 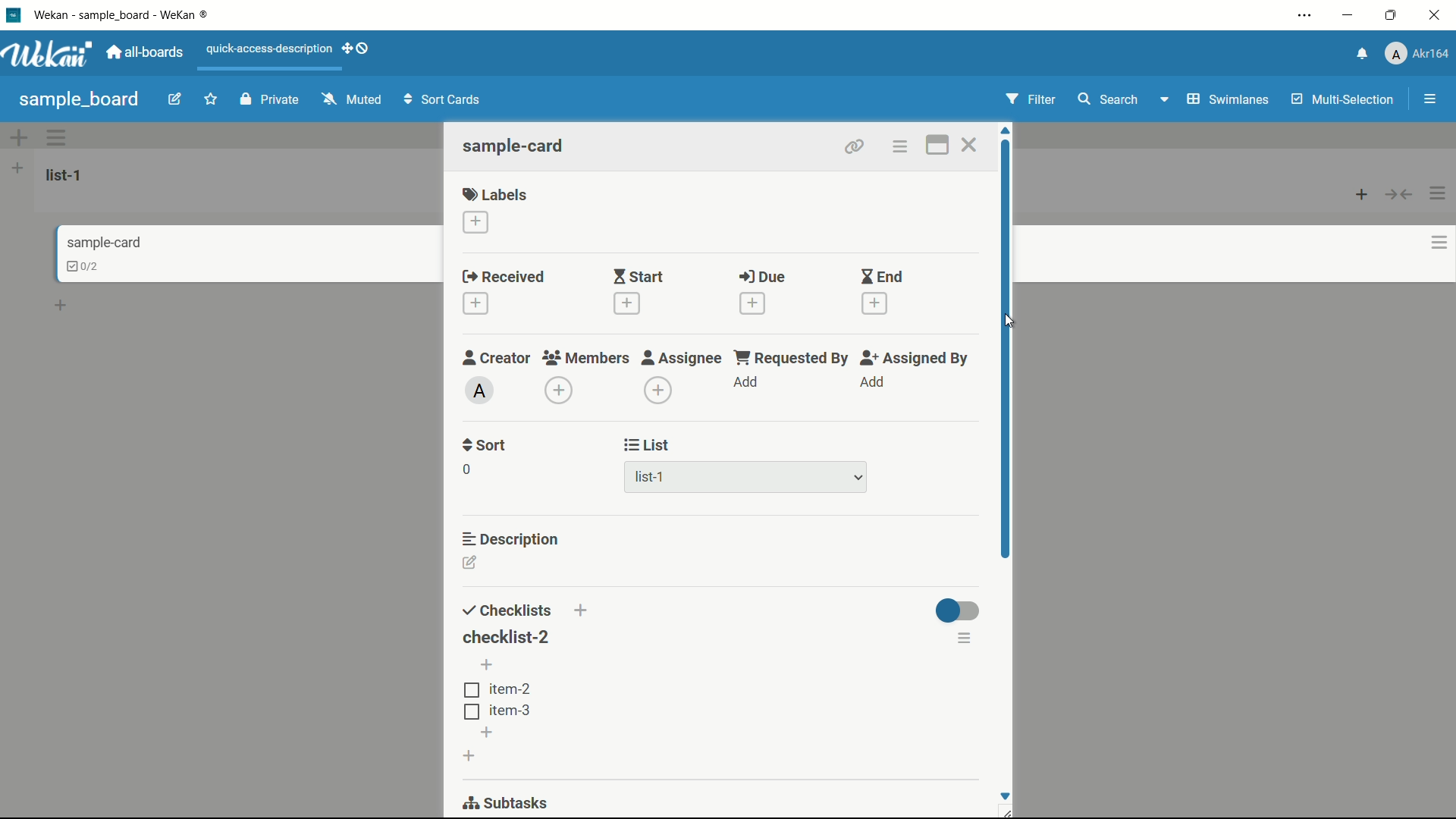 What do you see at coordinates (485, 733) in the screenshot?
I see `add item` at bounding box center [485, 733].